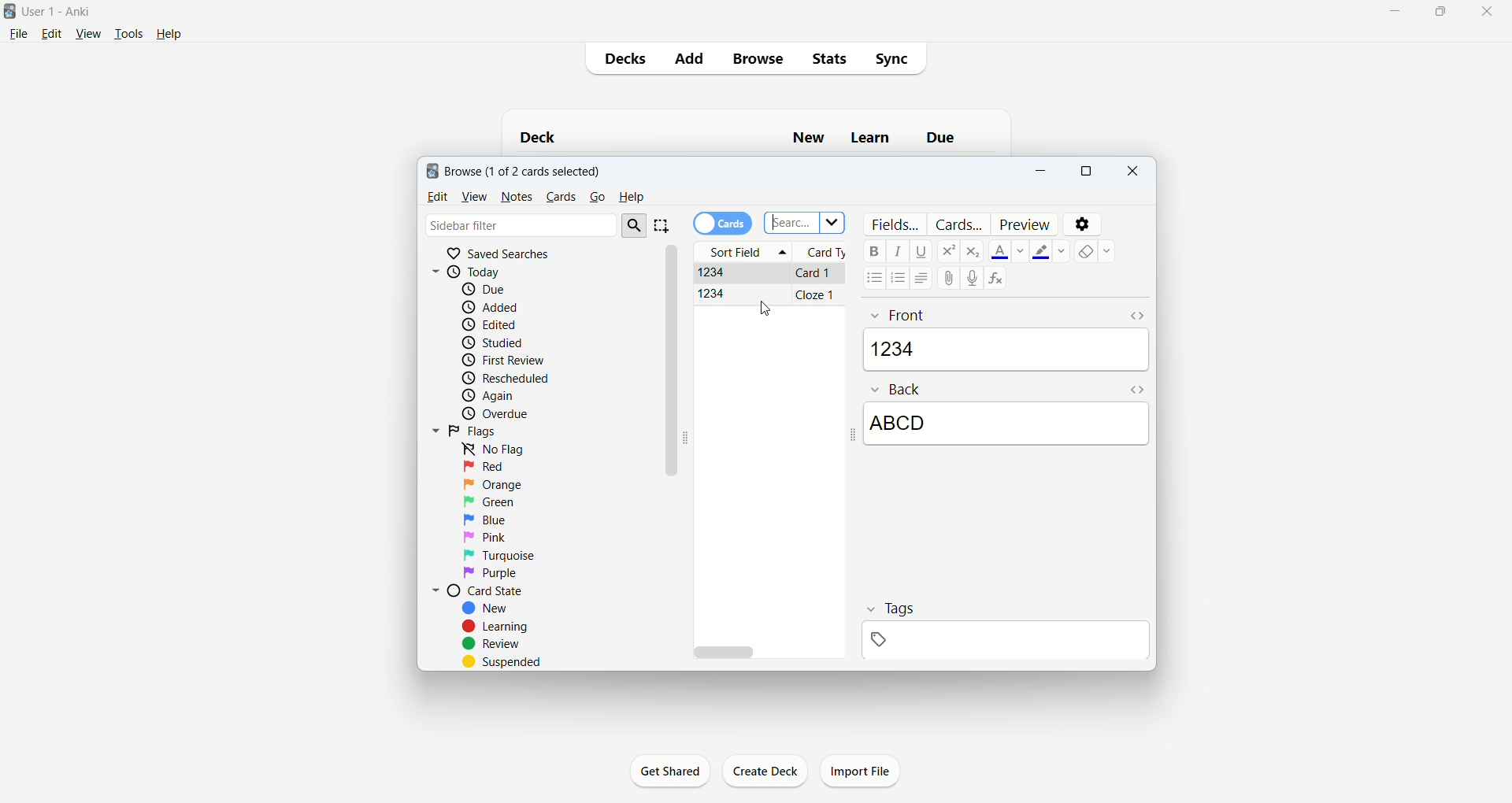 This screenshot has height=803, width=1512. I want to click on back, so click(899, 390).